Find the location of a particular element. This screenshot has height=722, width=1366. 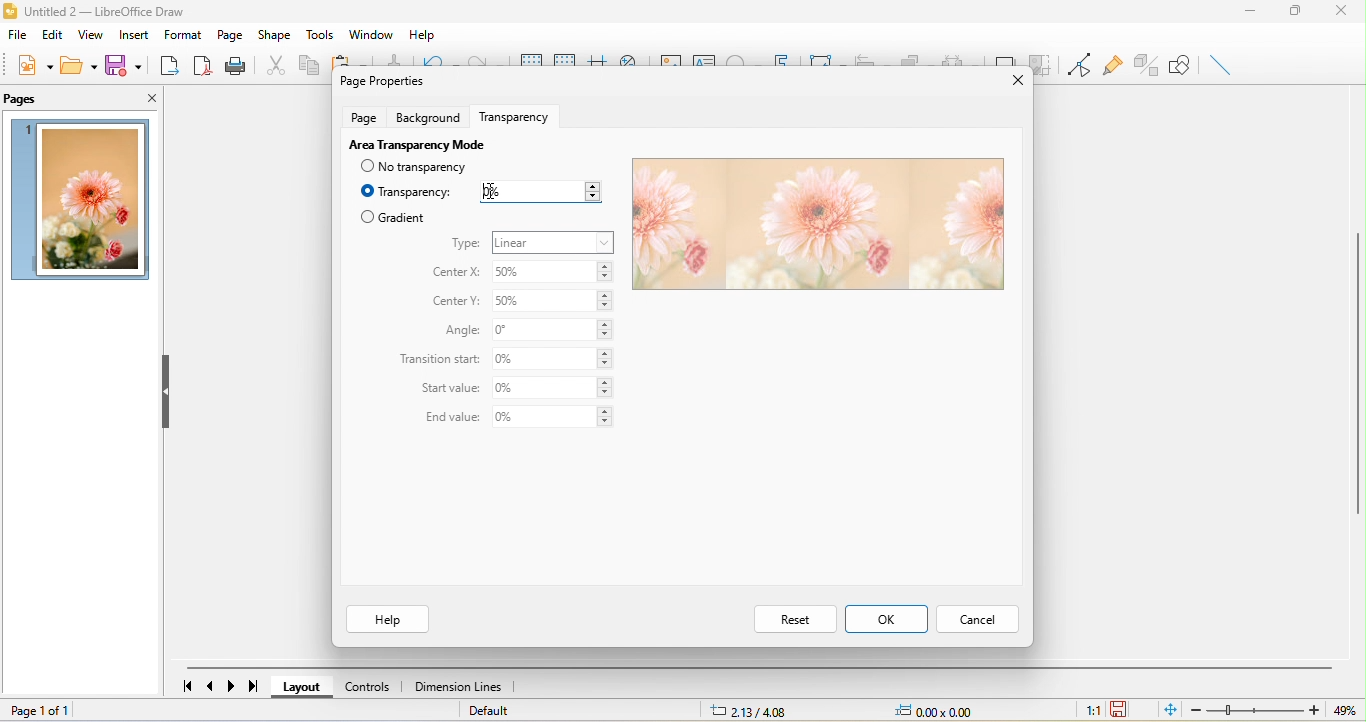

controls is located at coordinates (372, 687).